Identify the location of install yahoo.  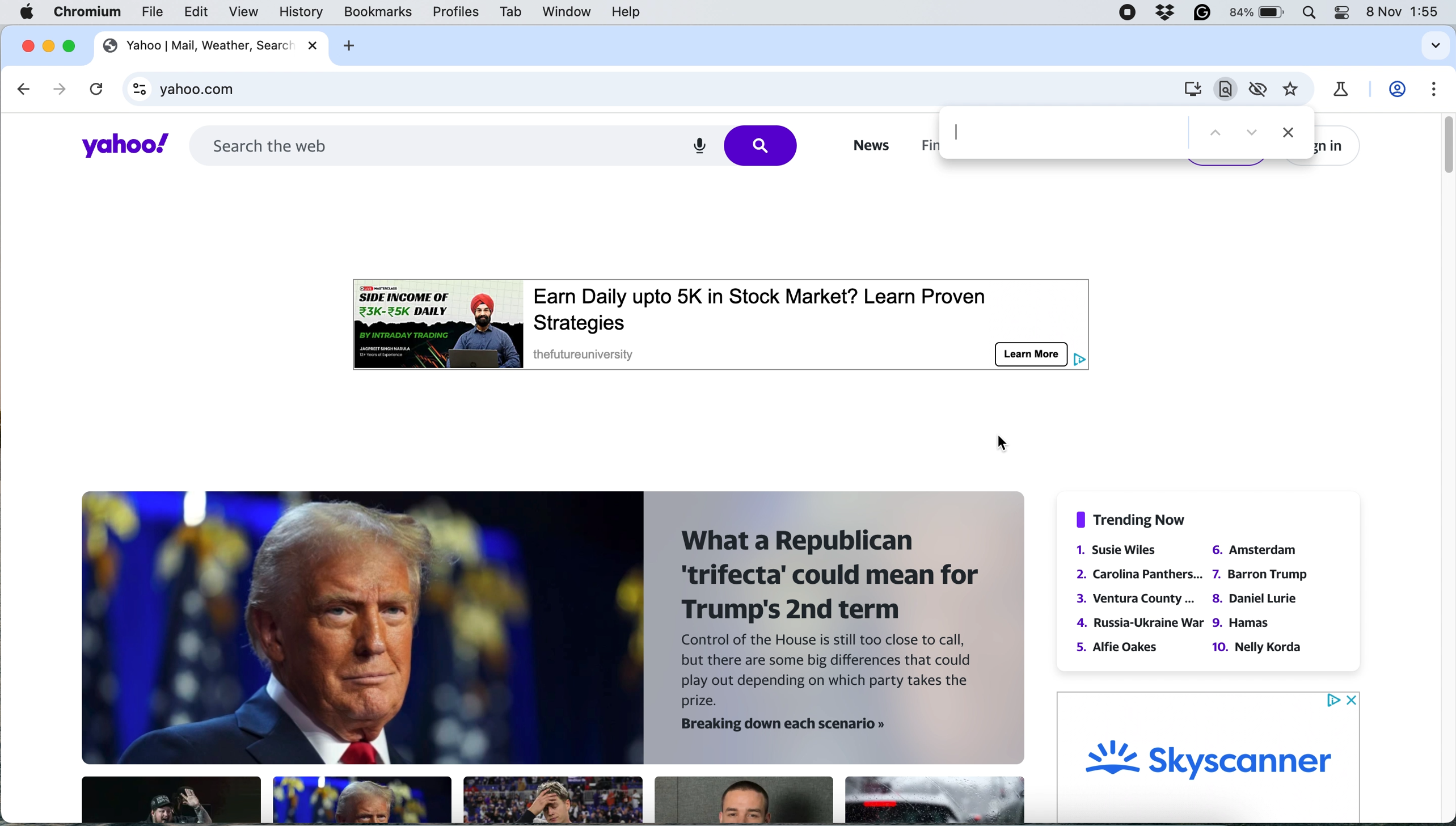
(1192, 89).